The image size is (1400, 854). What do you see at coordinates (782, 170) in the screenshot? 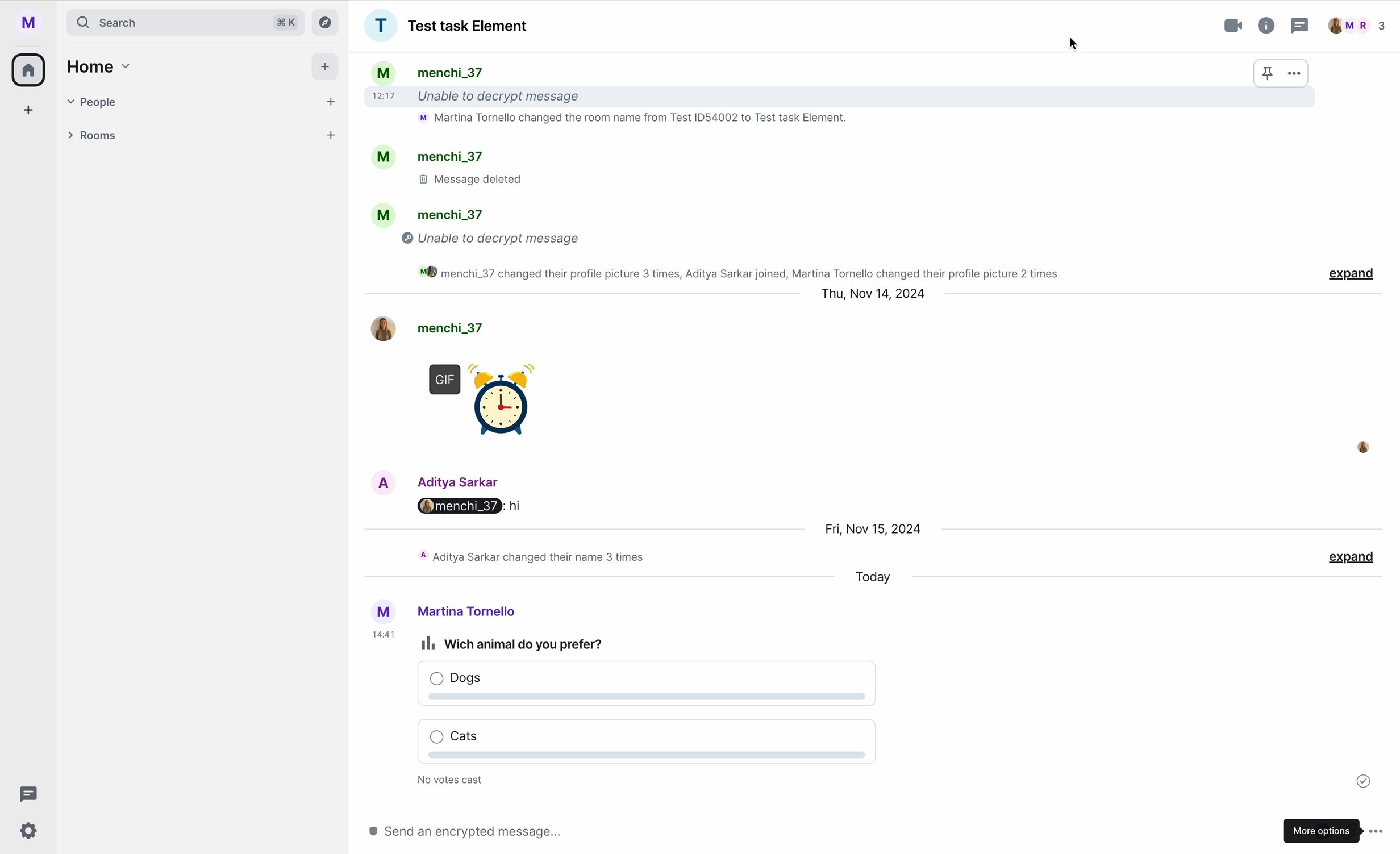
I see `activity chat` at bounding box center [782, 170].